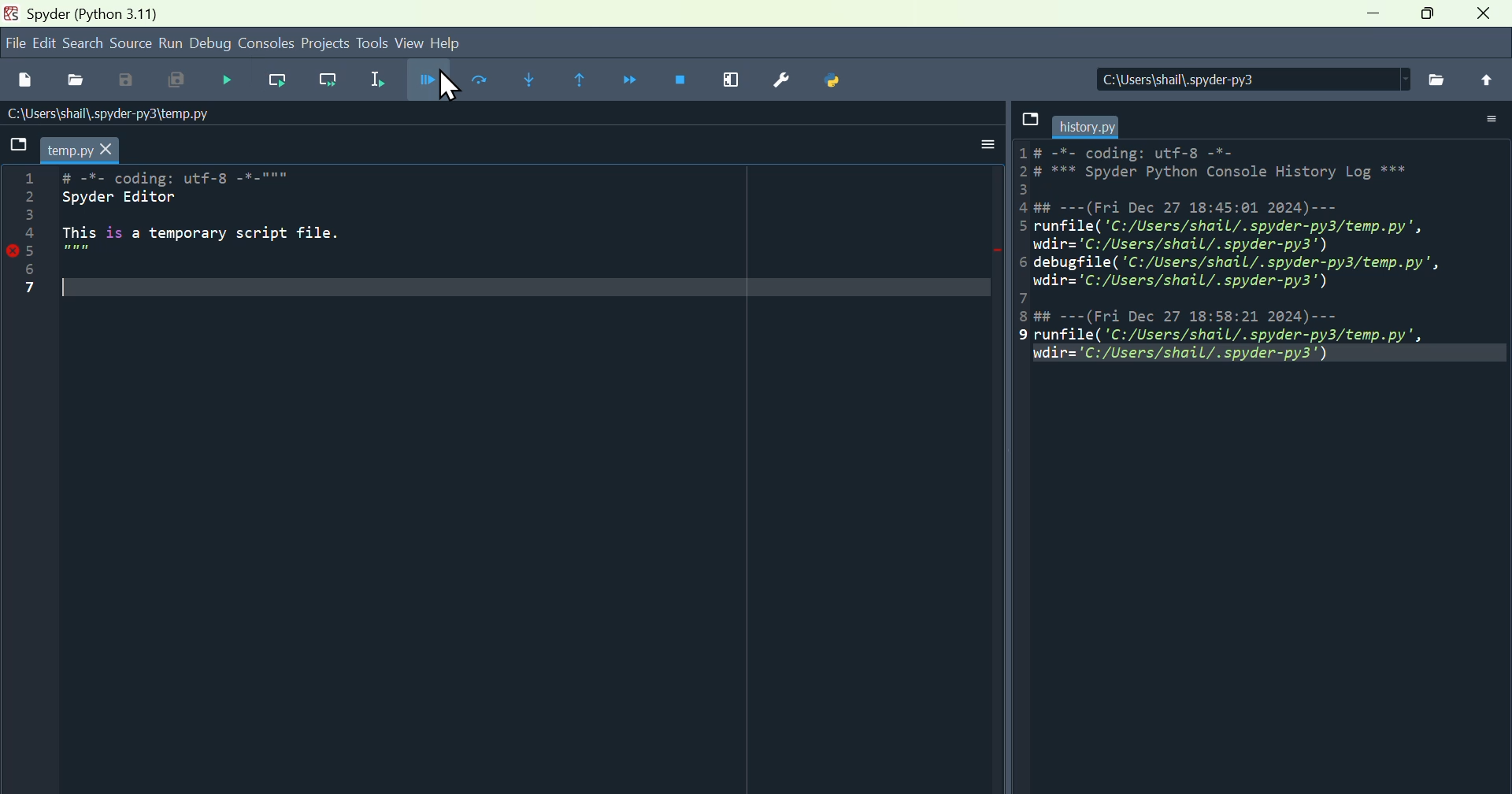 The width and height of the screenshot is (1512, 794). I want to click on filename -temp.py, so click(84, 149).